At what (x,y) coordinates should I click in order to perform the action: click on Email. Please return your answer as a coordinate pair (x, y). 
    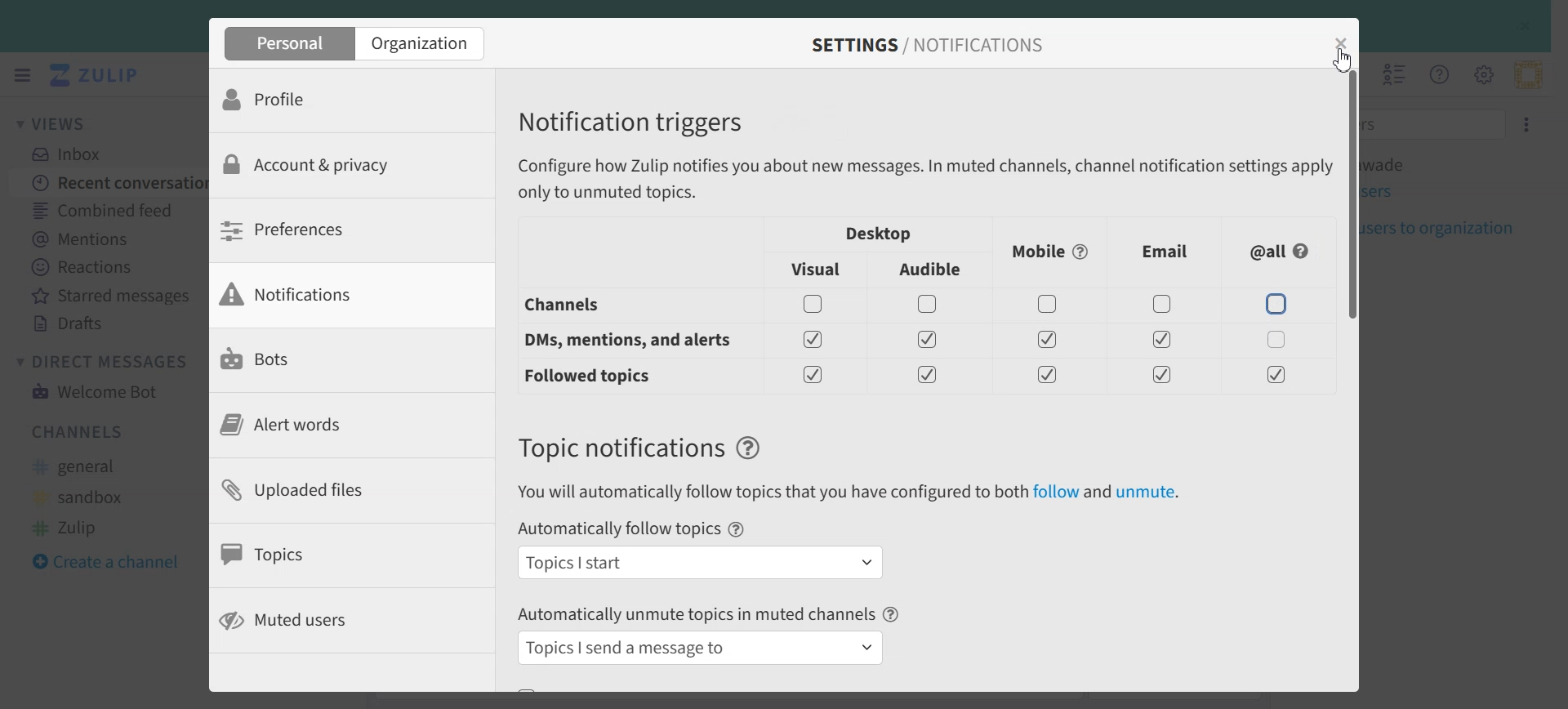
    Looking at the image, I should click on (1165, 252).